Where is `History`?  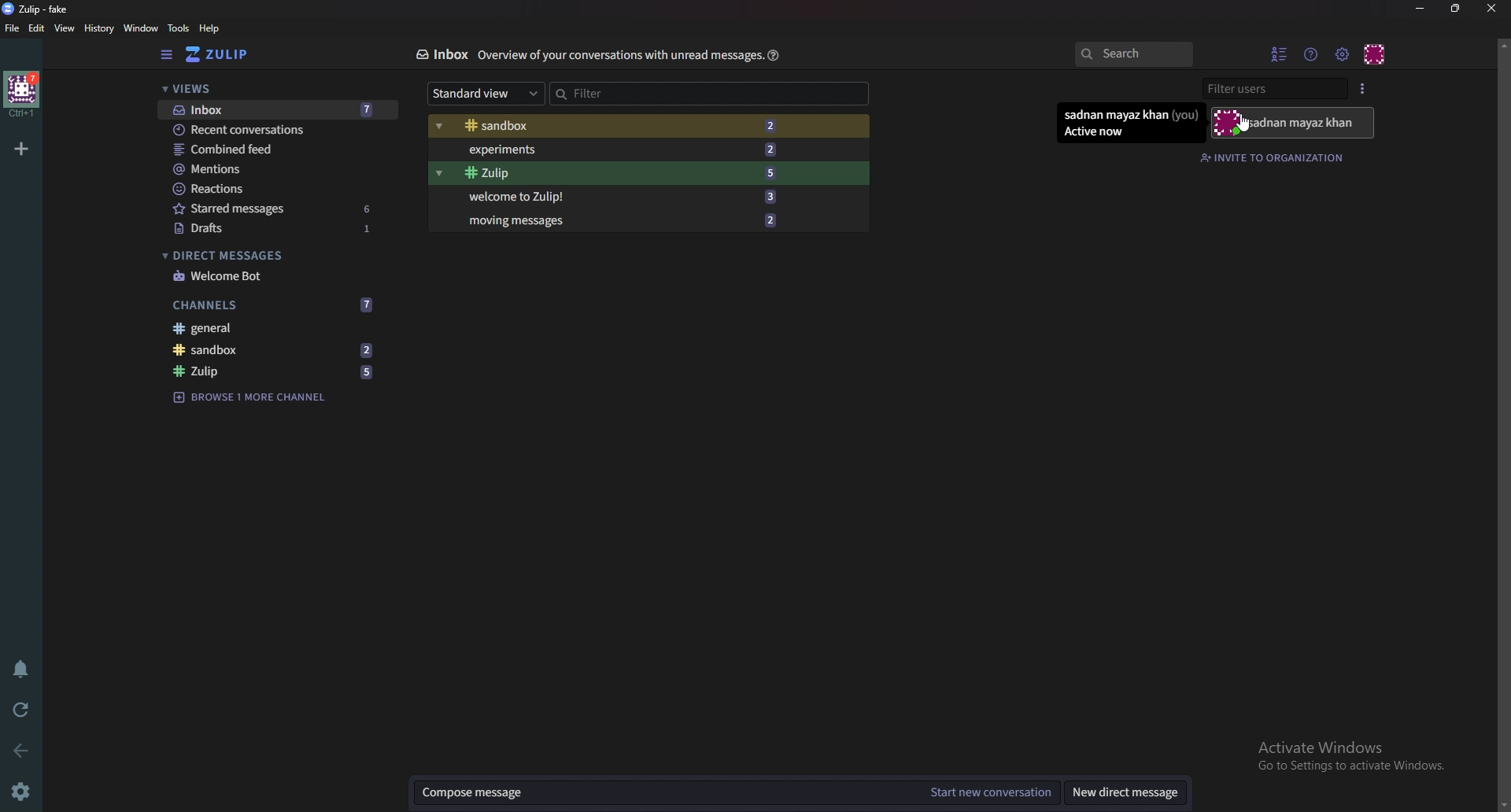 History is located at coordinates (98, 29).